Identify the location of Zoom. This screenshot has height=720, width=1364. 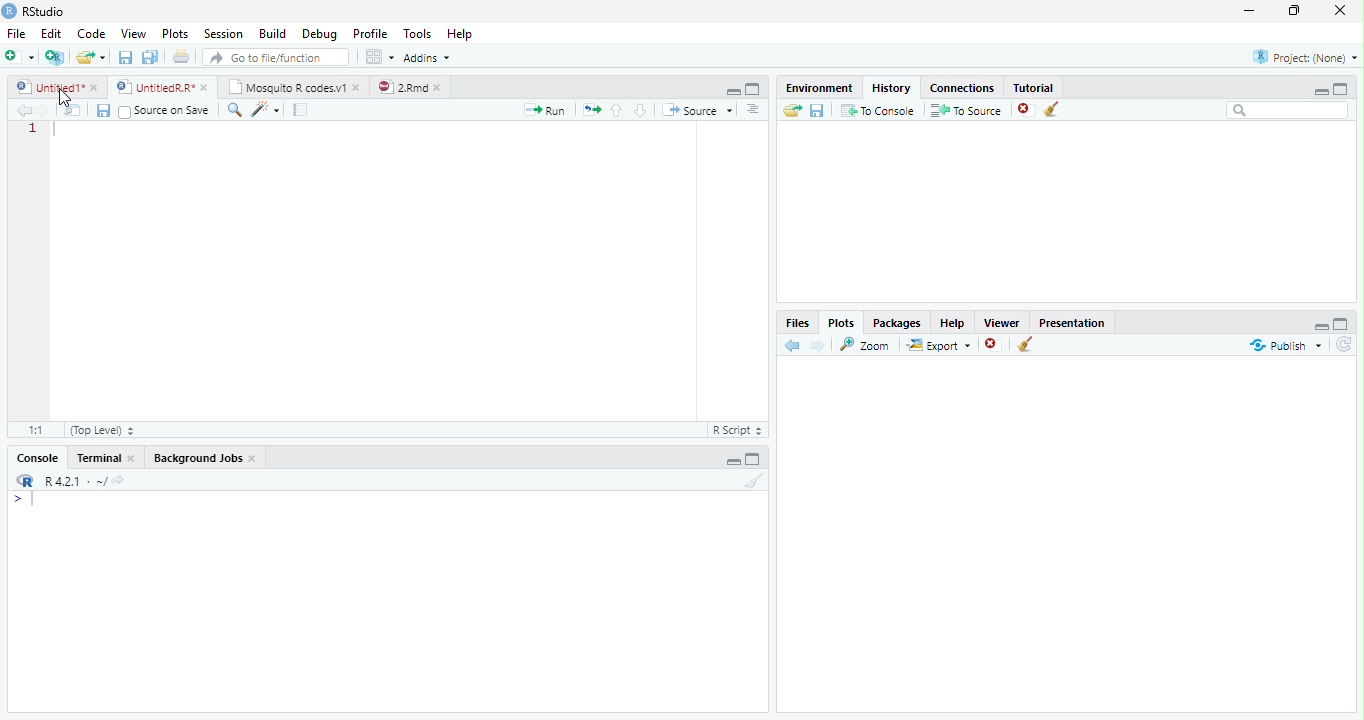
(866, 344).